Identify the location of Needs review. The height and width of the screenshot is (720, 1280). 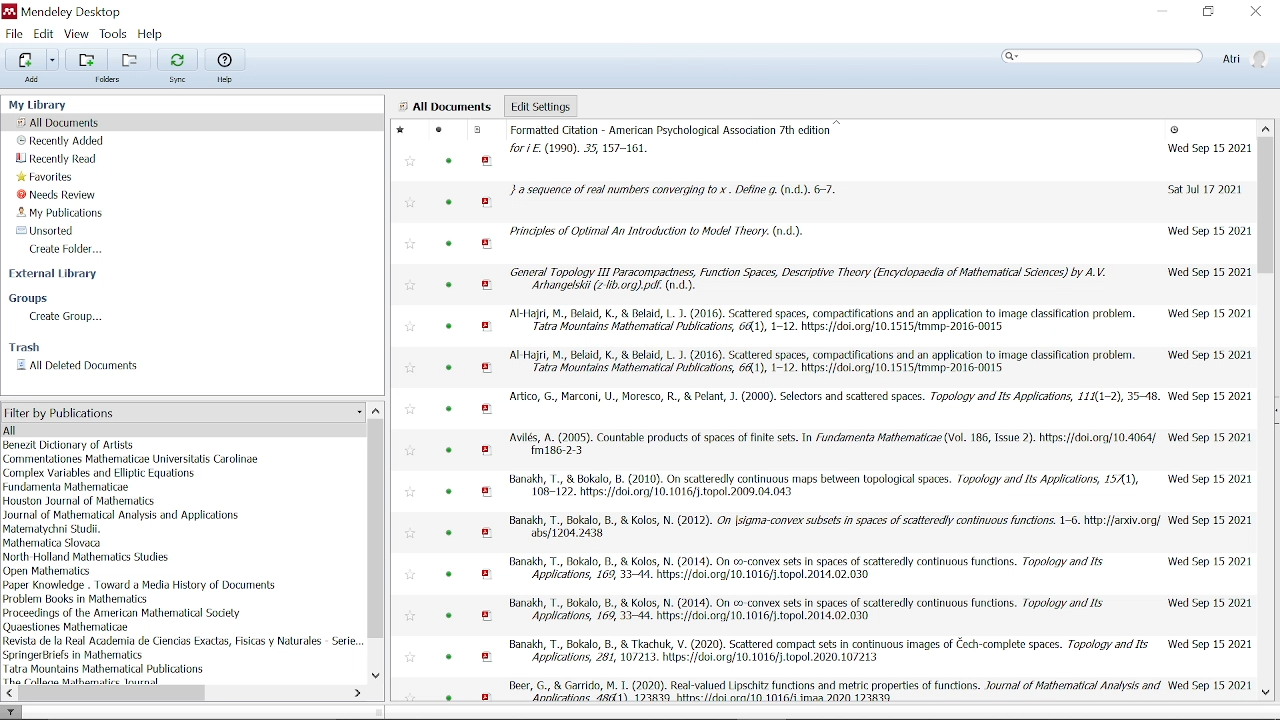
(65, 194).